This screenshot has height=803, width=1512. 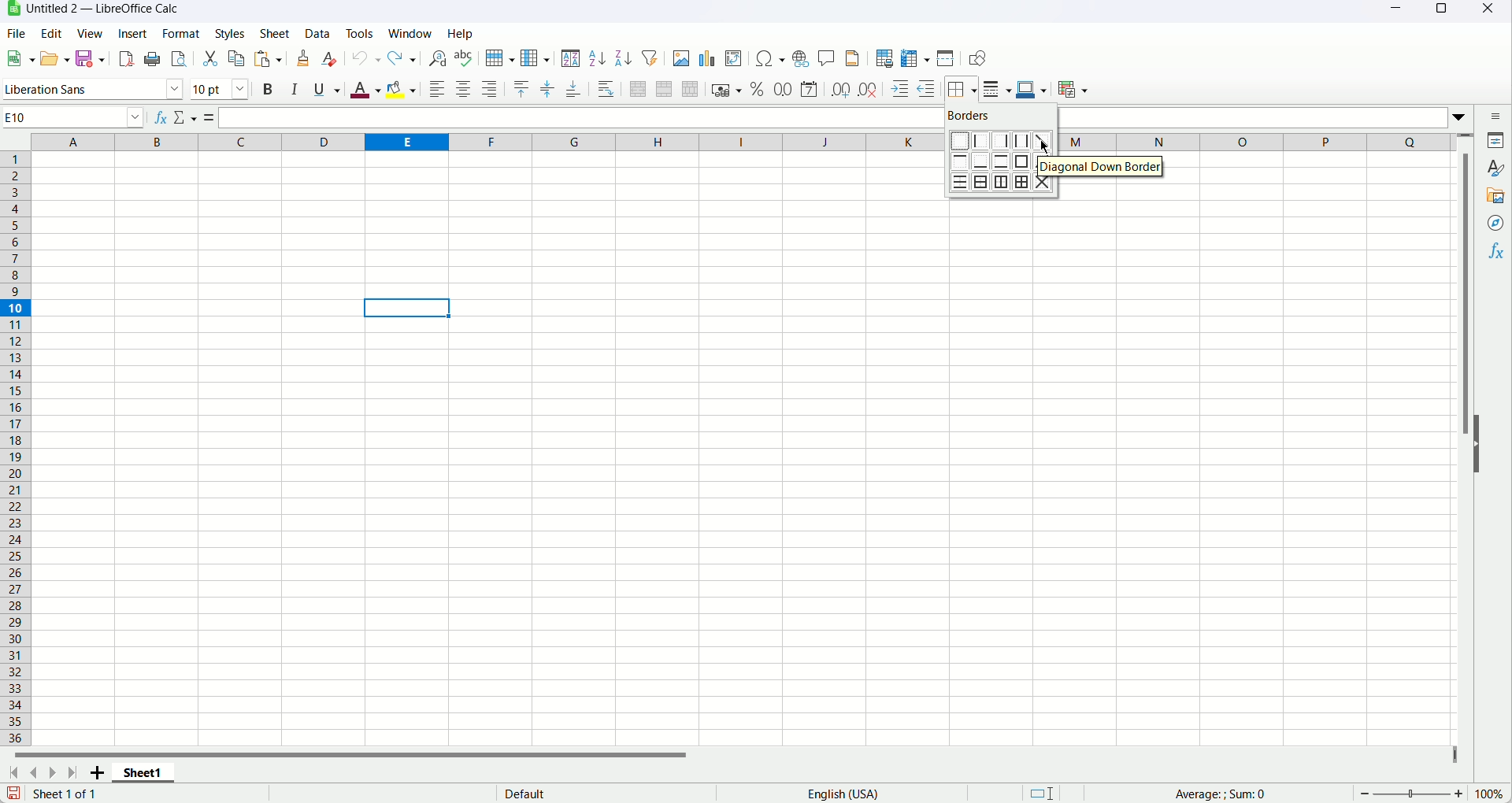 I want to click on Minimize, so click(x=1395, y=12).